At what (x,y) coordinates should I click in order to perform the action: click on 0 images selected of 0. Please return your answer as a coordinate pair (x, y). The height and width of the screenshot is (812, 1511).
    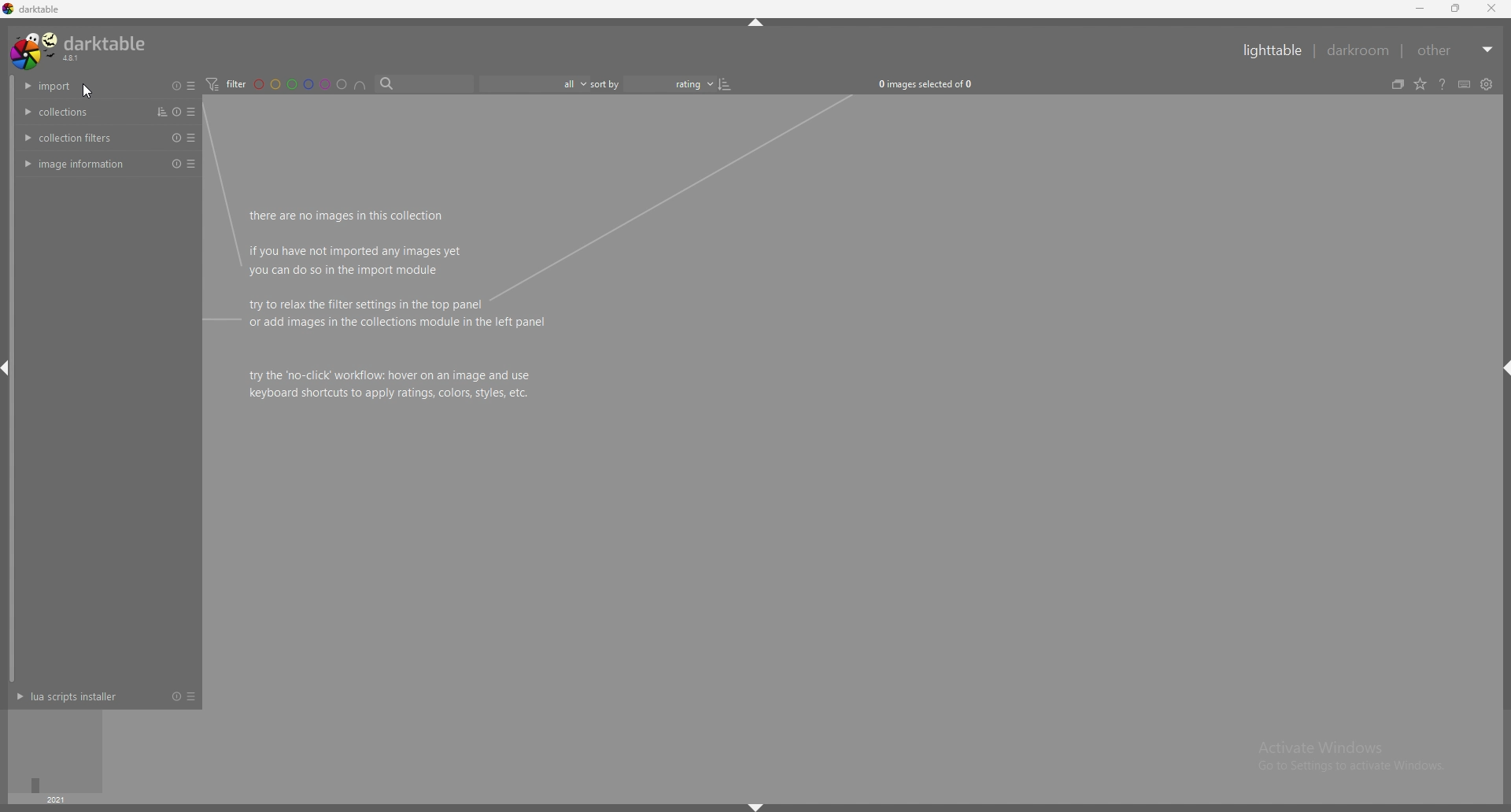
    Looking at the image, I should click on (930, 83).